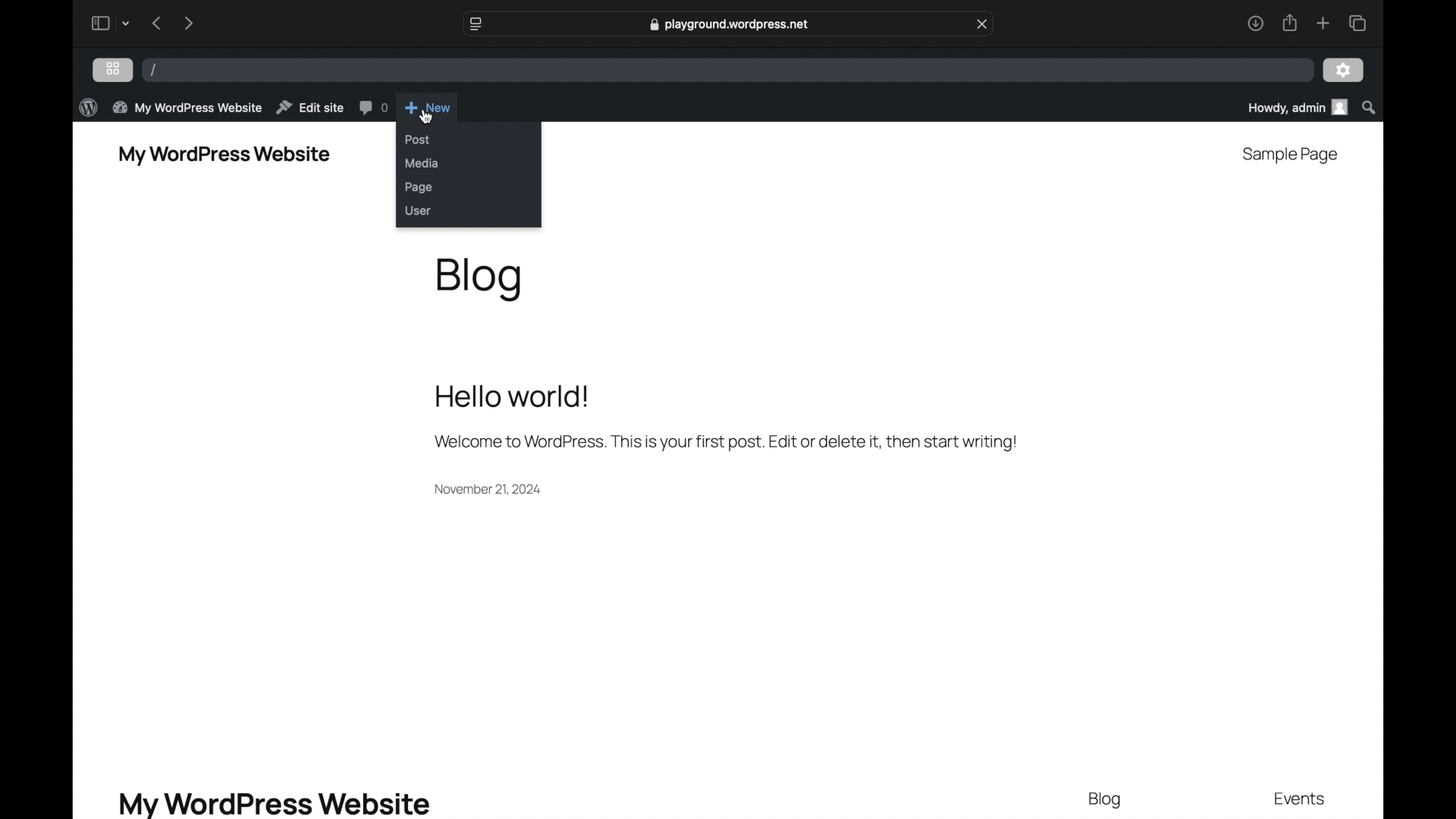 The height and width of the screenshot is (819, 1456). What do you see at coordinates (751, 443) in the screenshot?
I see `Welcome to WordPress. This is your first post. Edit or delete it, then start writing!` at bounding box center [751, 443].